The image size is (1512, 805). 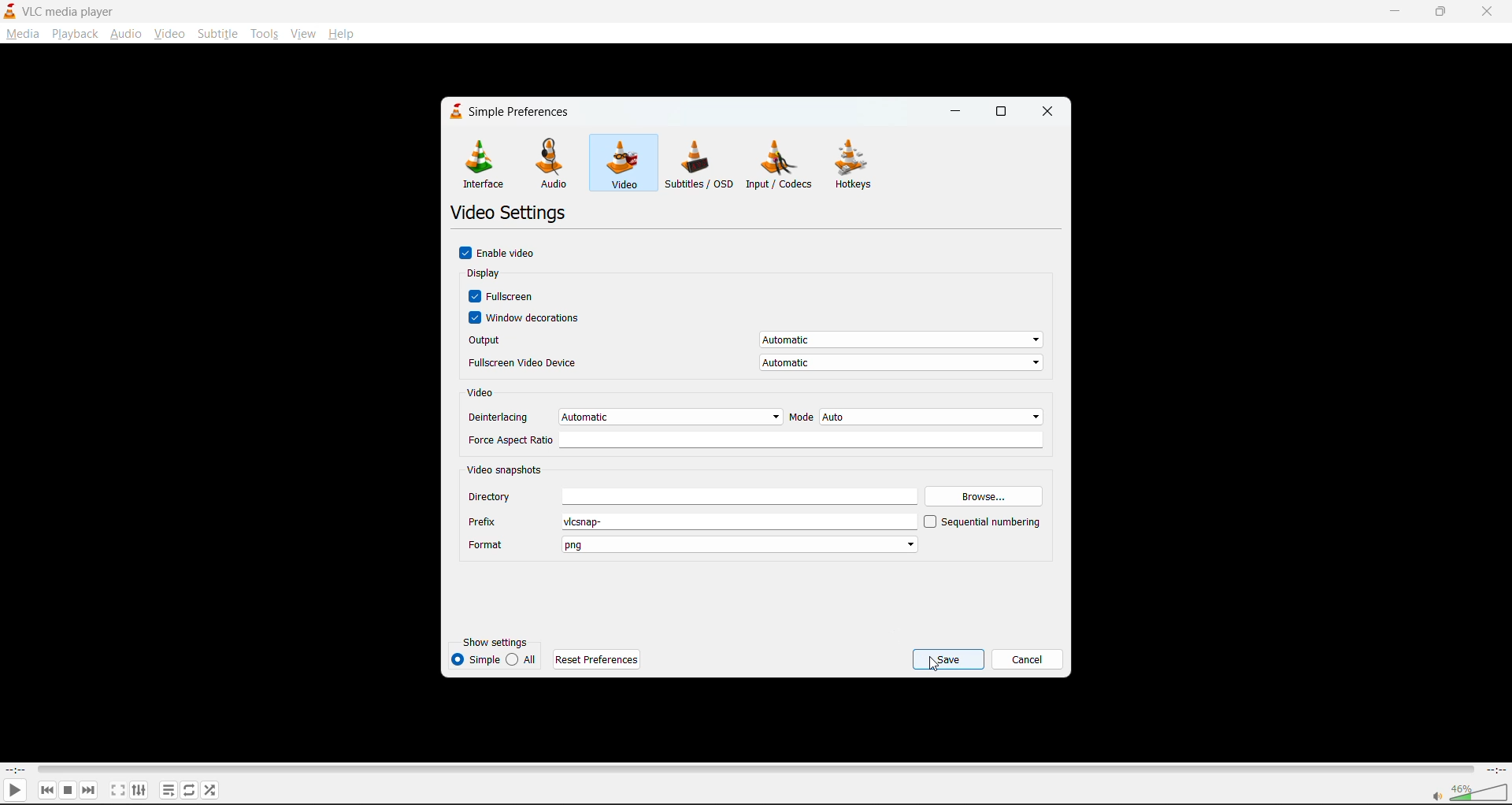 What do you see at coordinates (168, 789) in the screenshot?
I see `playlist` at bounding box center [168, 789].